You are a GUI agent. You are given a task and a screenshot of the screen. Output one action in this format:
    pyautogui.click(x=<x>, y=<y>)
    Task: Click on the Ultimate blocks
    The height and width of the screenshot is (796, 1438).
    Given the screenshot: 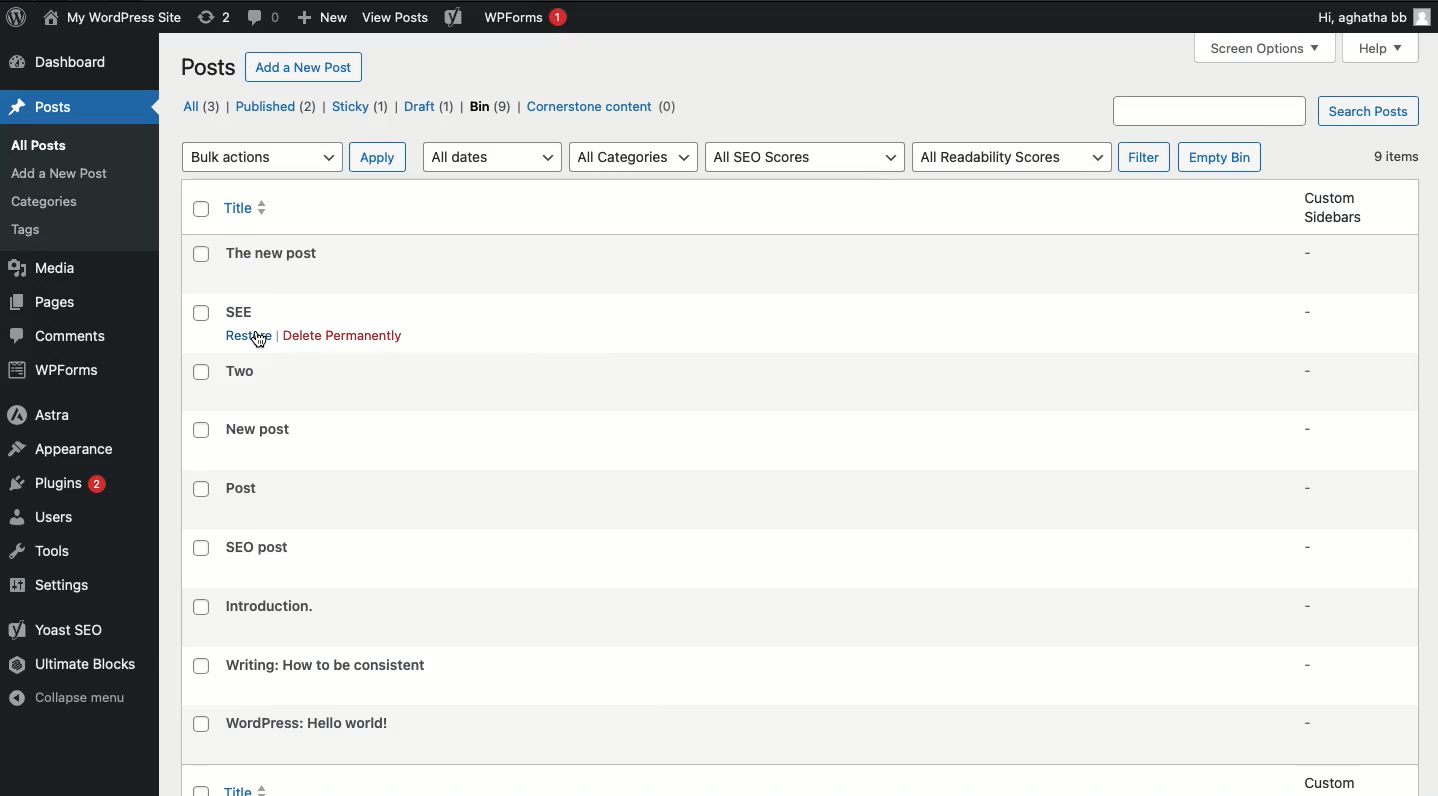 What is the action you would take?
    pyautogui.click(x=73, y=665)
    